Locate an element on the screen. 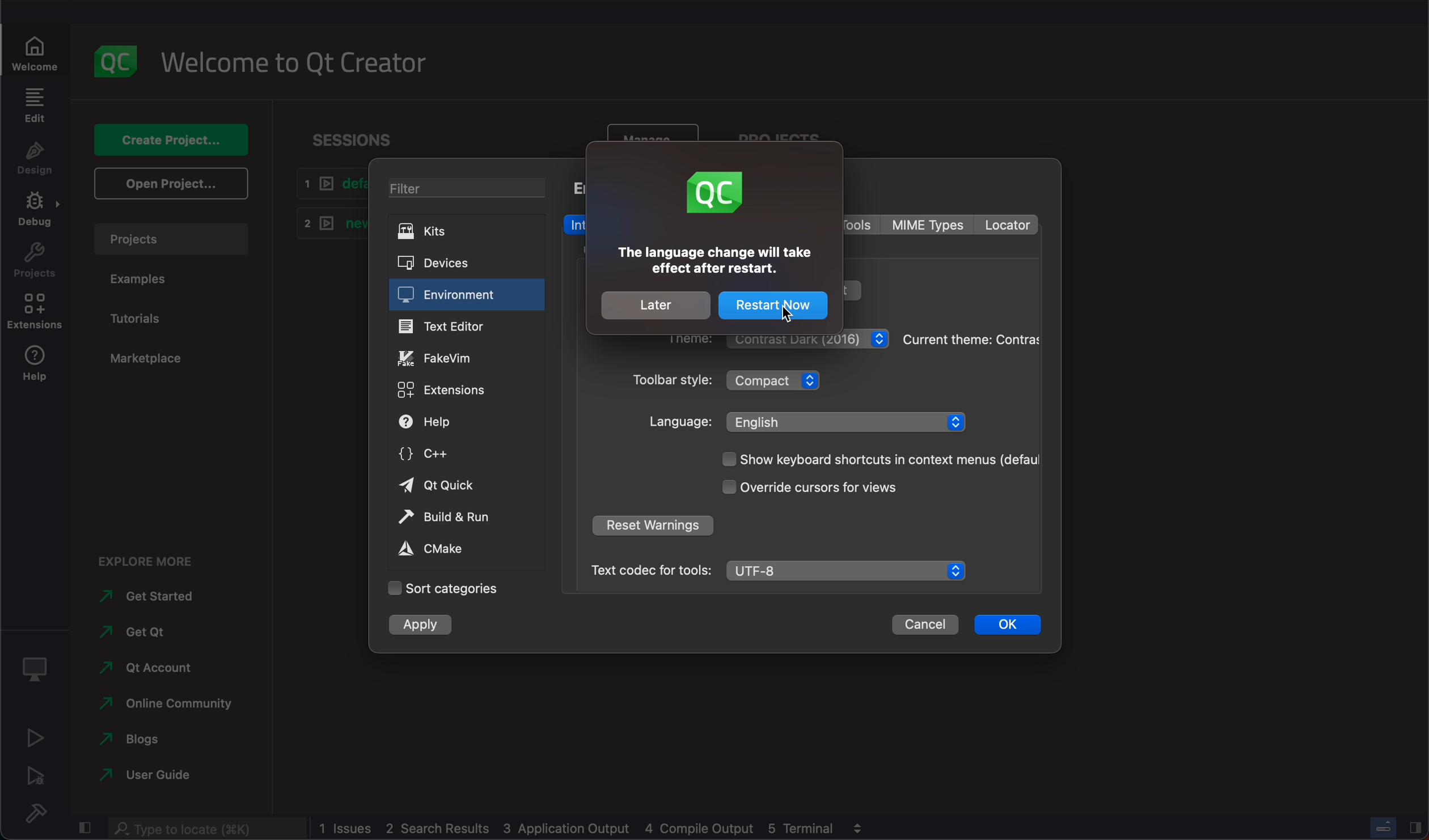 This screenshot has width=1429, height=840. mime types is located at coordinates (932, 224).